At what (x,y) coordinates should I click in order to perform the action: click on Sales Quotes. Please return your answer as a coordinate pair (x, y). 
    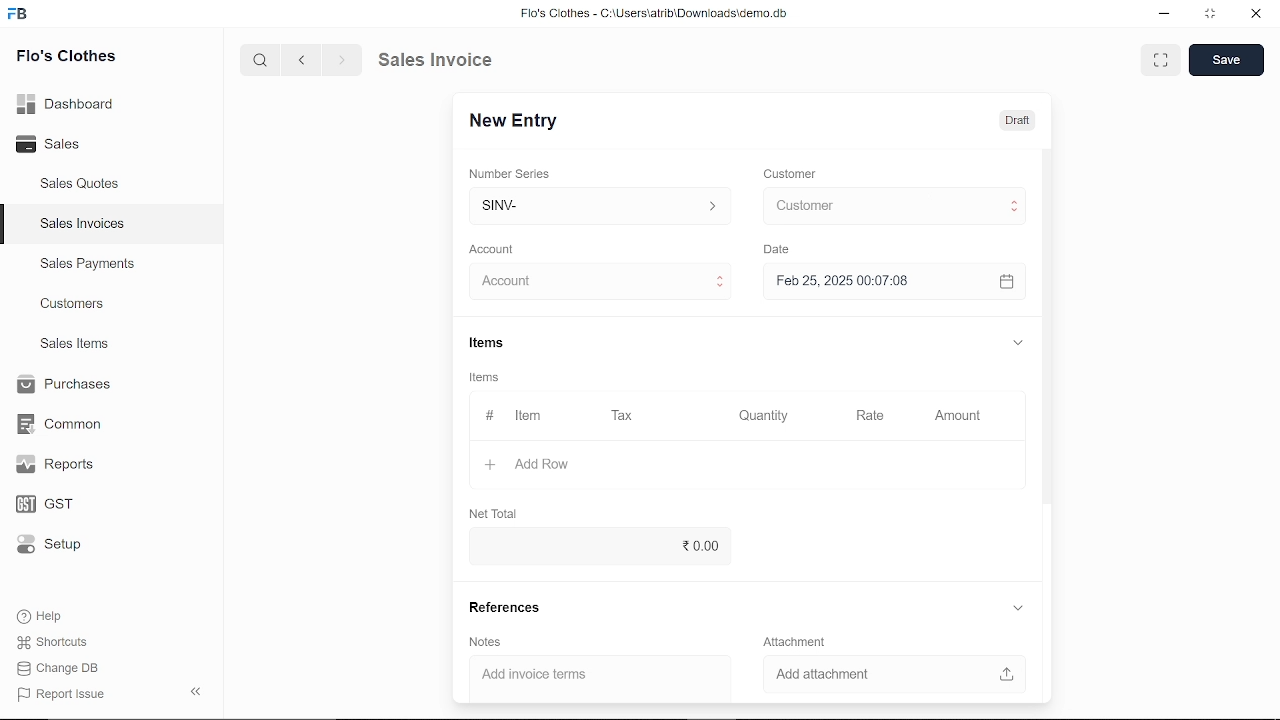
    Looking at the image, I should click on (82, 186).